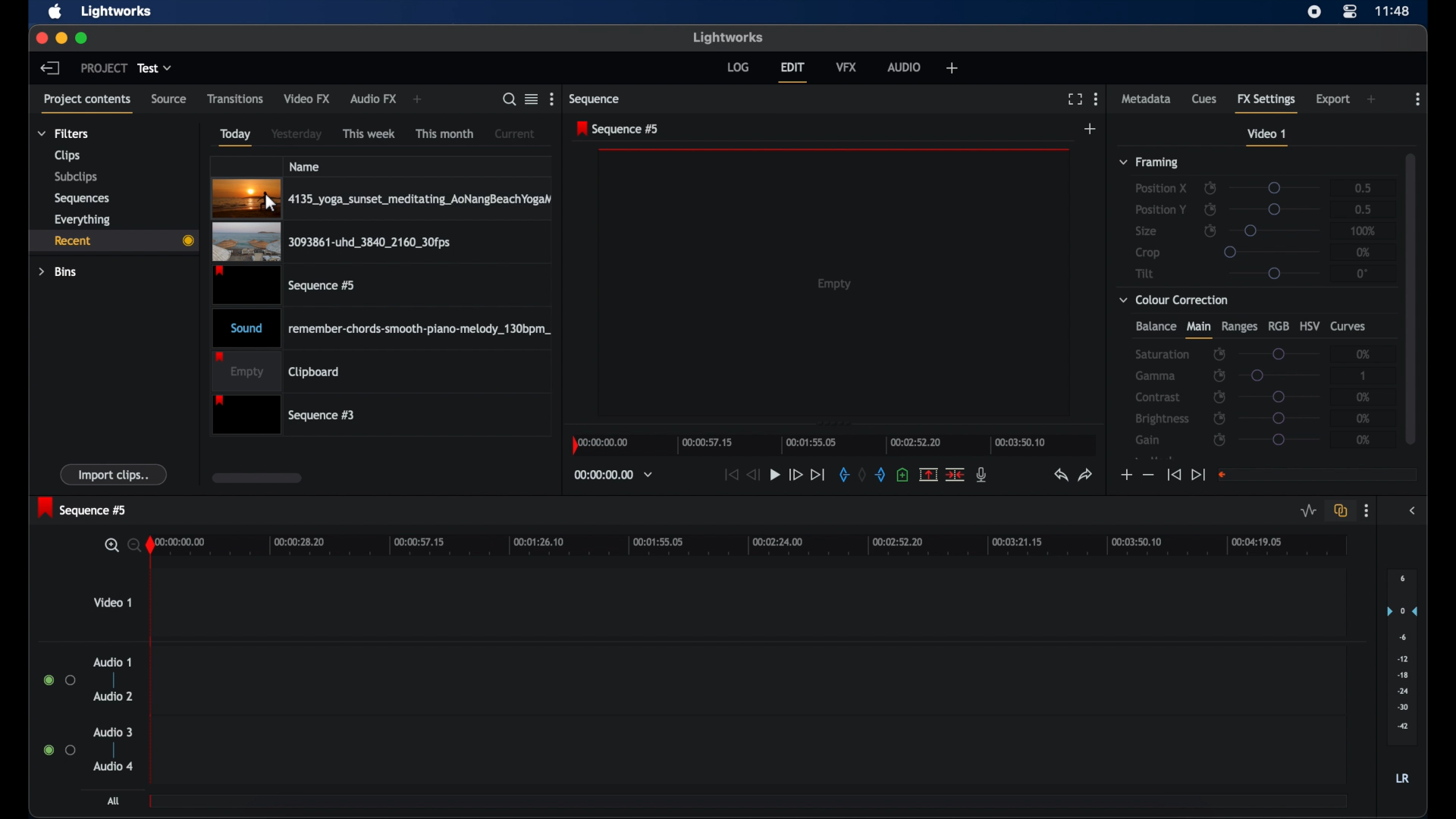  What do you see at coordinates (235, 98) in the screenshot?
I see `transitions` at bounding box center [235, 98].